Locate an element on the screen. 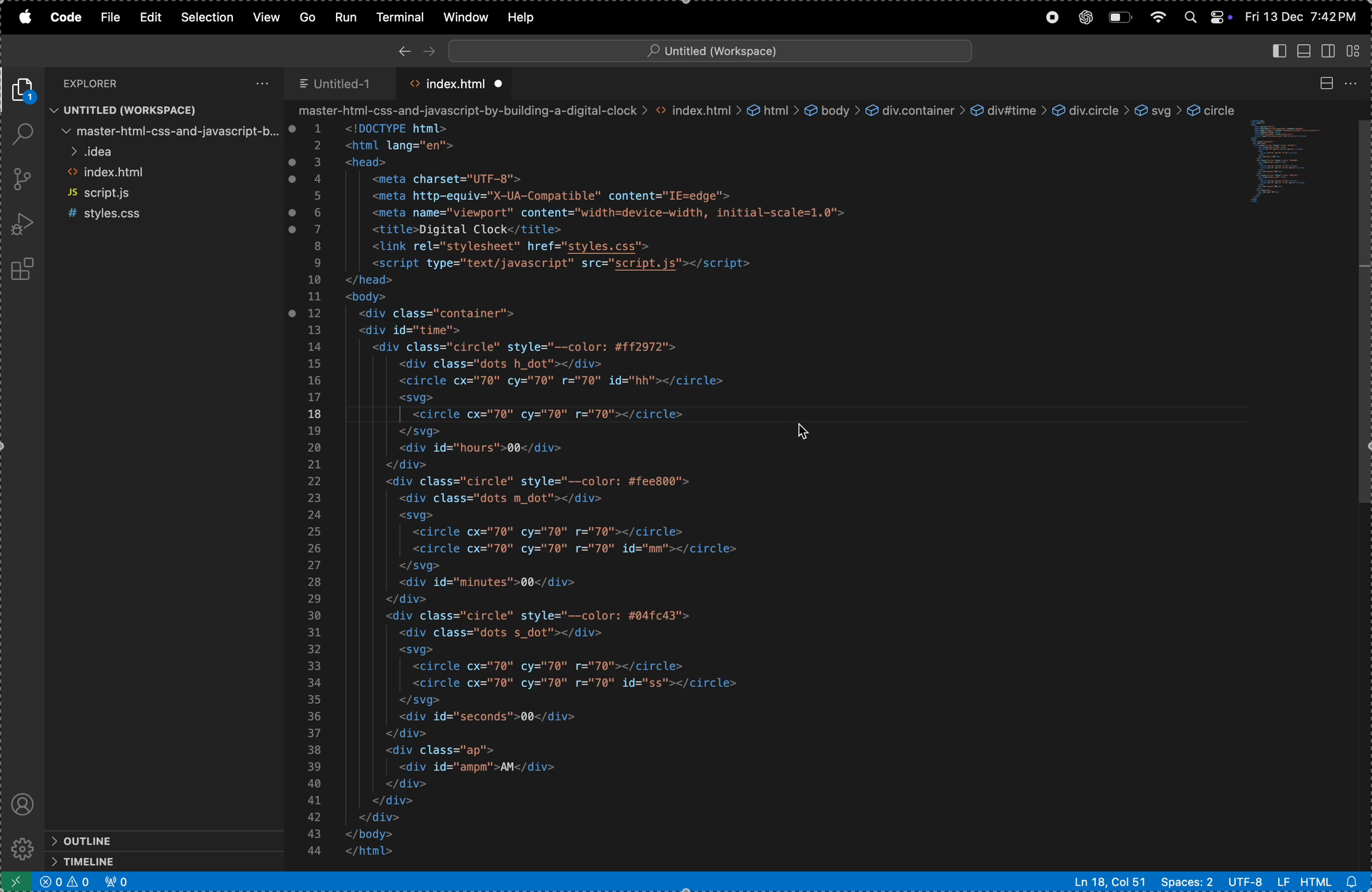 The height and width of the screenshot is (892, 1372). cursor is located at coordinates (805, 430).